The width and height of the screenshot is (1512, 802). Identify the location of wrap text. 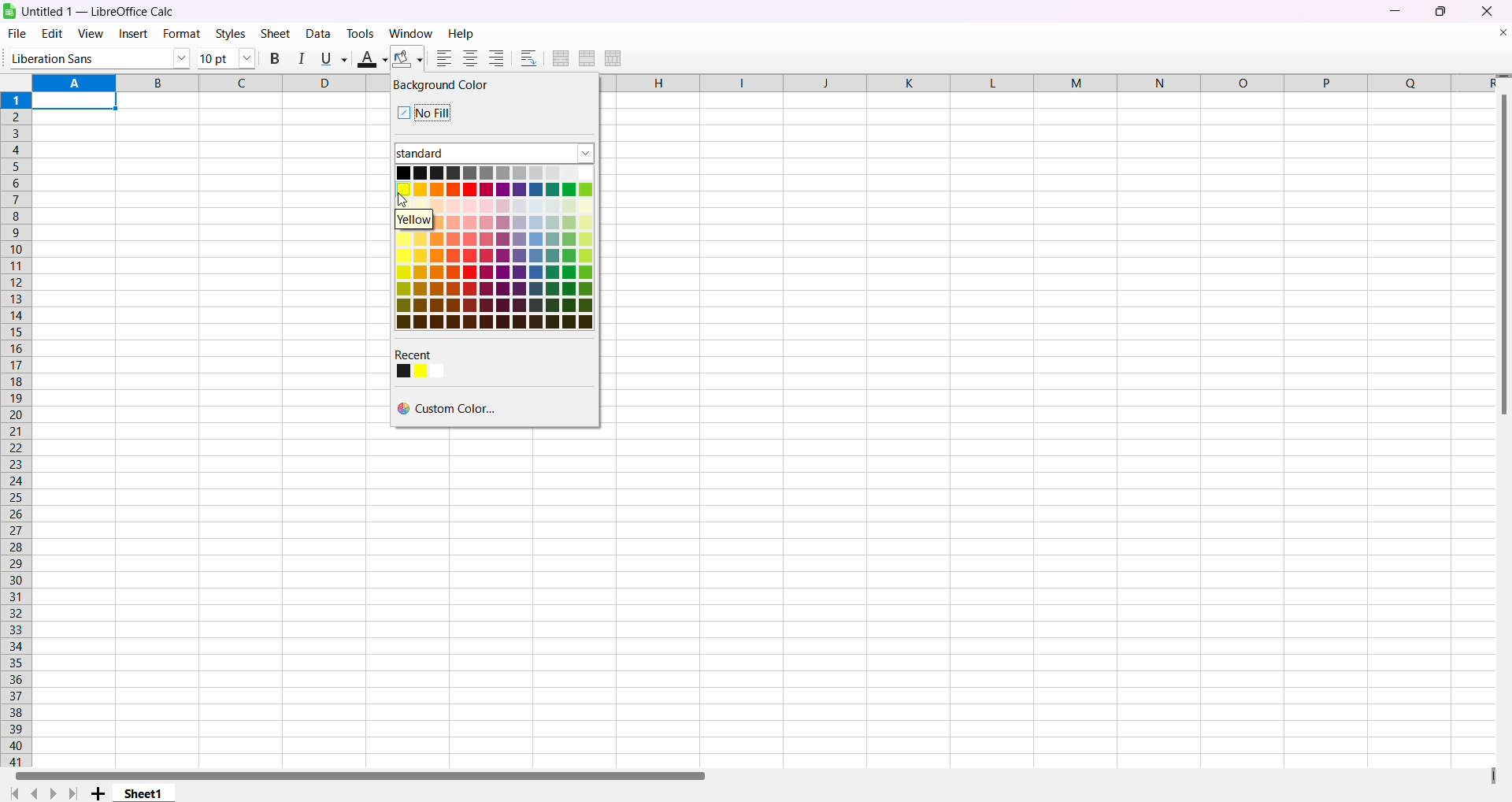
(528, 57).